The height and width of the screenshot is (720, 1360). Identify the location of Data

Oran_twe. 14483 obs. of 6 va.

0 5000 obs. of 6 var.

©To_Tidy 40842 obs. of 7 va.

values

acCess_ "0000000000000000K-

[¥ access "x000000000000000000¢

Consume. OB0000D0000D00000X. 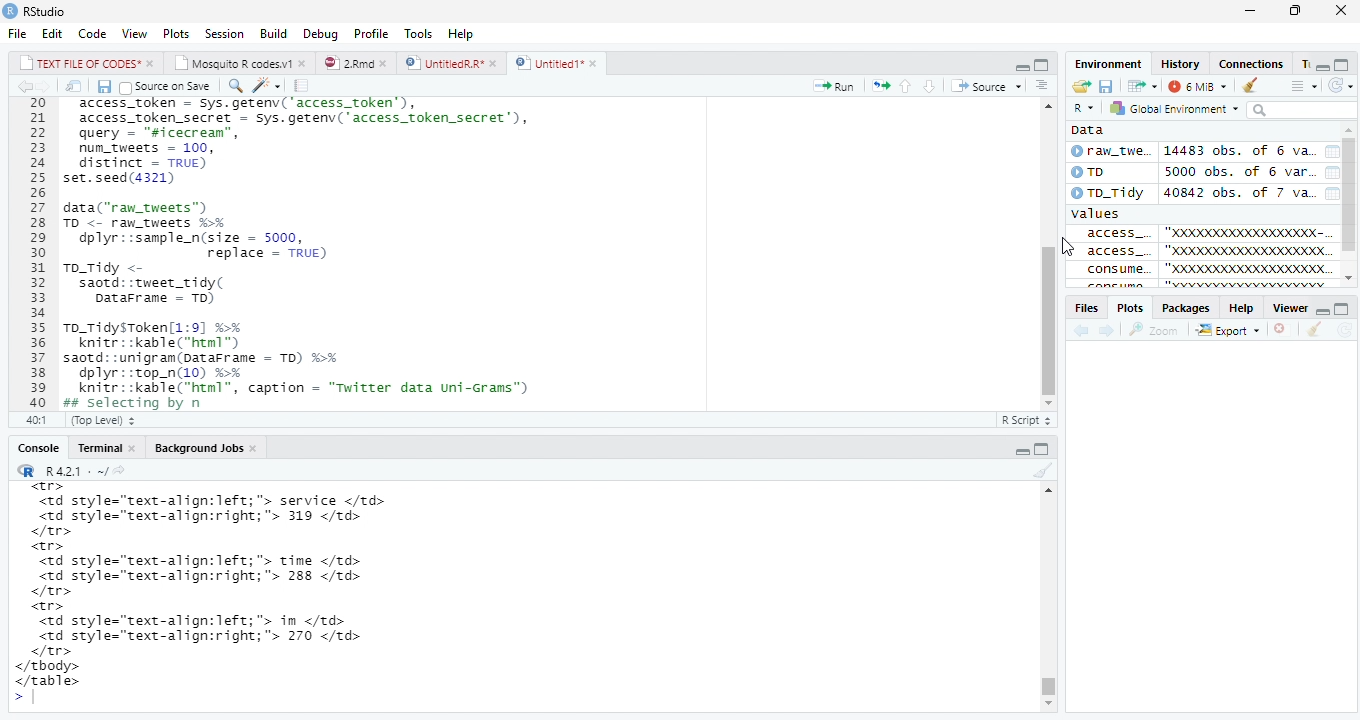
(1204, 205).